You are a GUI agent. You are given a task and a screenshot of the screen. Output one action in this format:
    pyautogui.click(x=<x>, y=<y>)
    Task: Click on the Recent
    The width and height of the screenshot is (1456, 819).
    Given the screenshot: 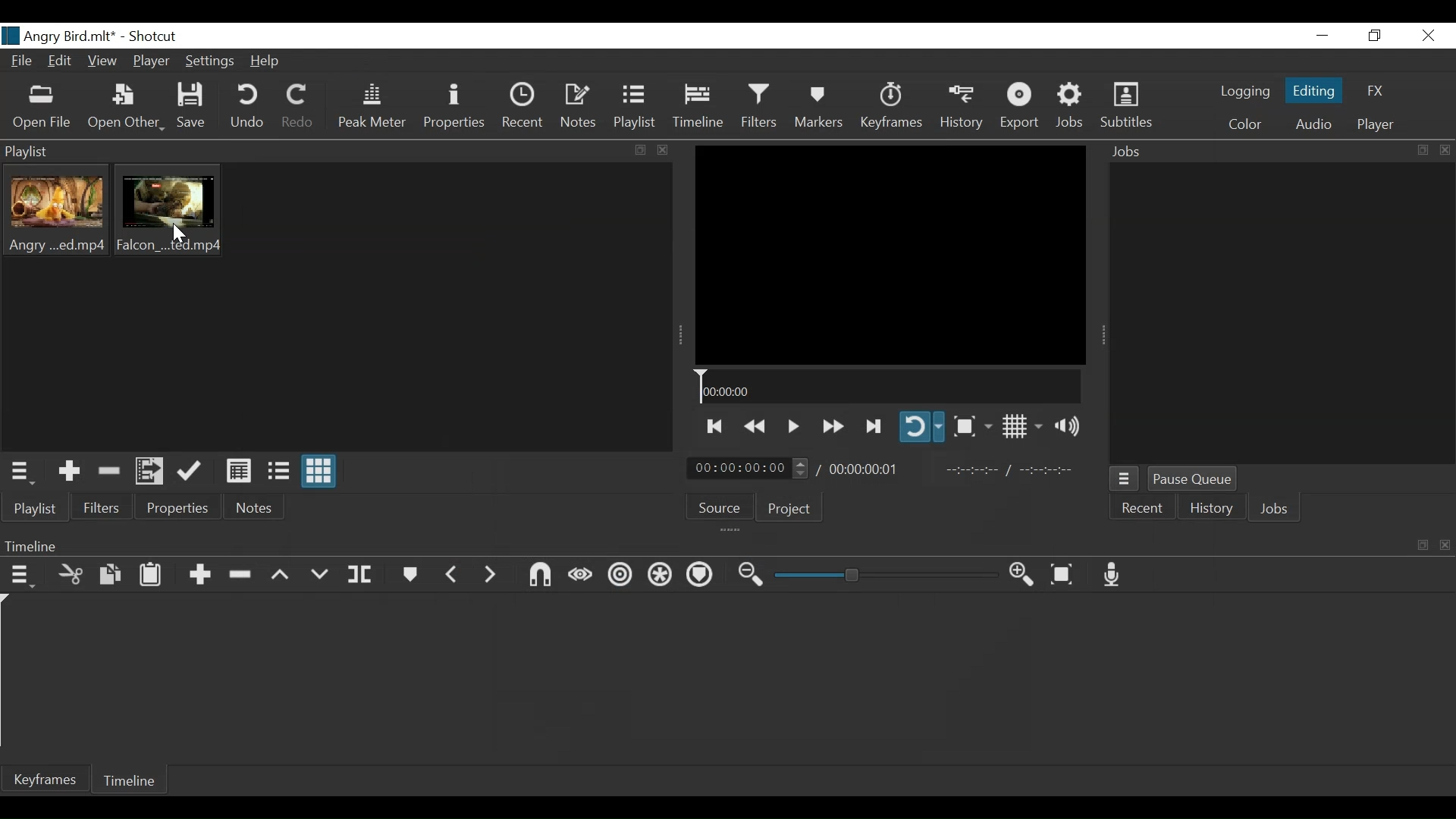 What is the action you would take?
    pyautogui.click(x=526, y=105)
    